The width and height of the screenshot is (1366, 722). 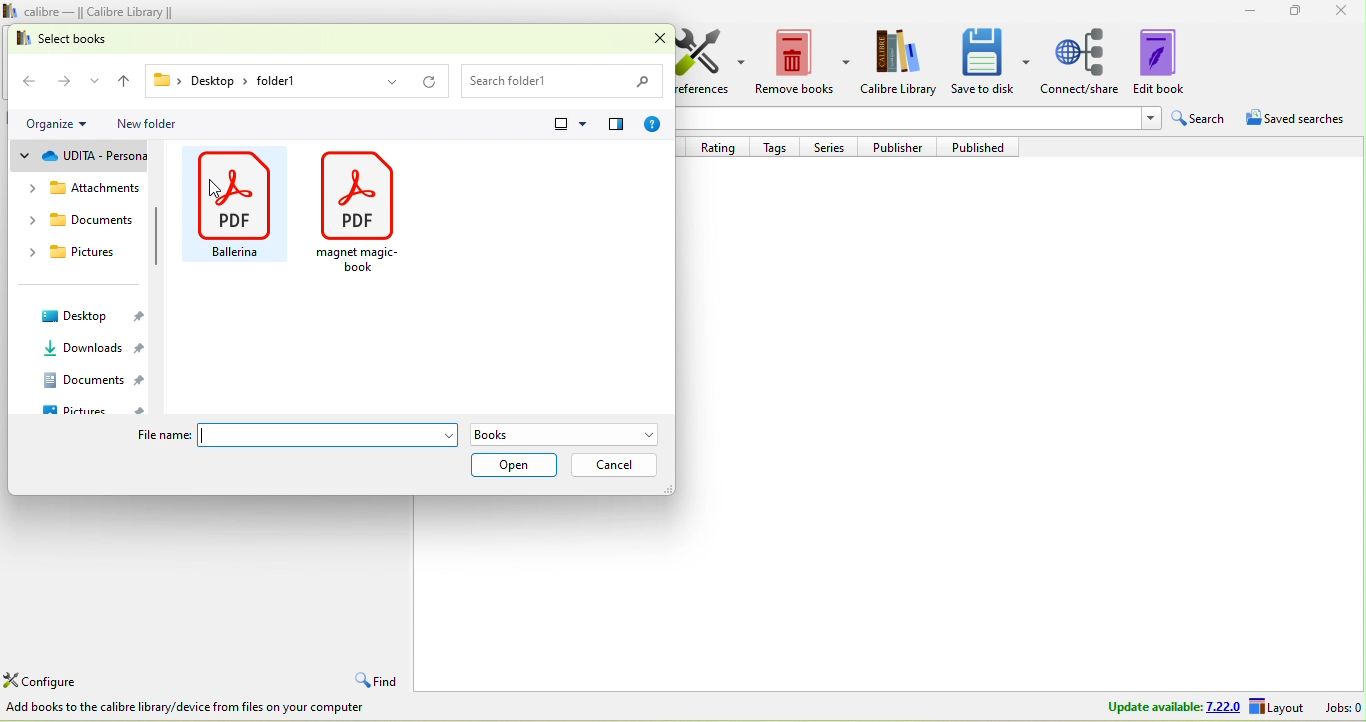 What do you see at coordinates (613, 466) in the screenshot?
I see `cancel` at bounding box center [613, 466].